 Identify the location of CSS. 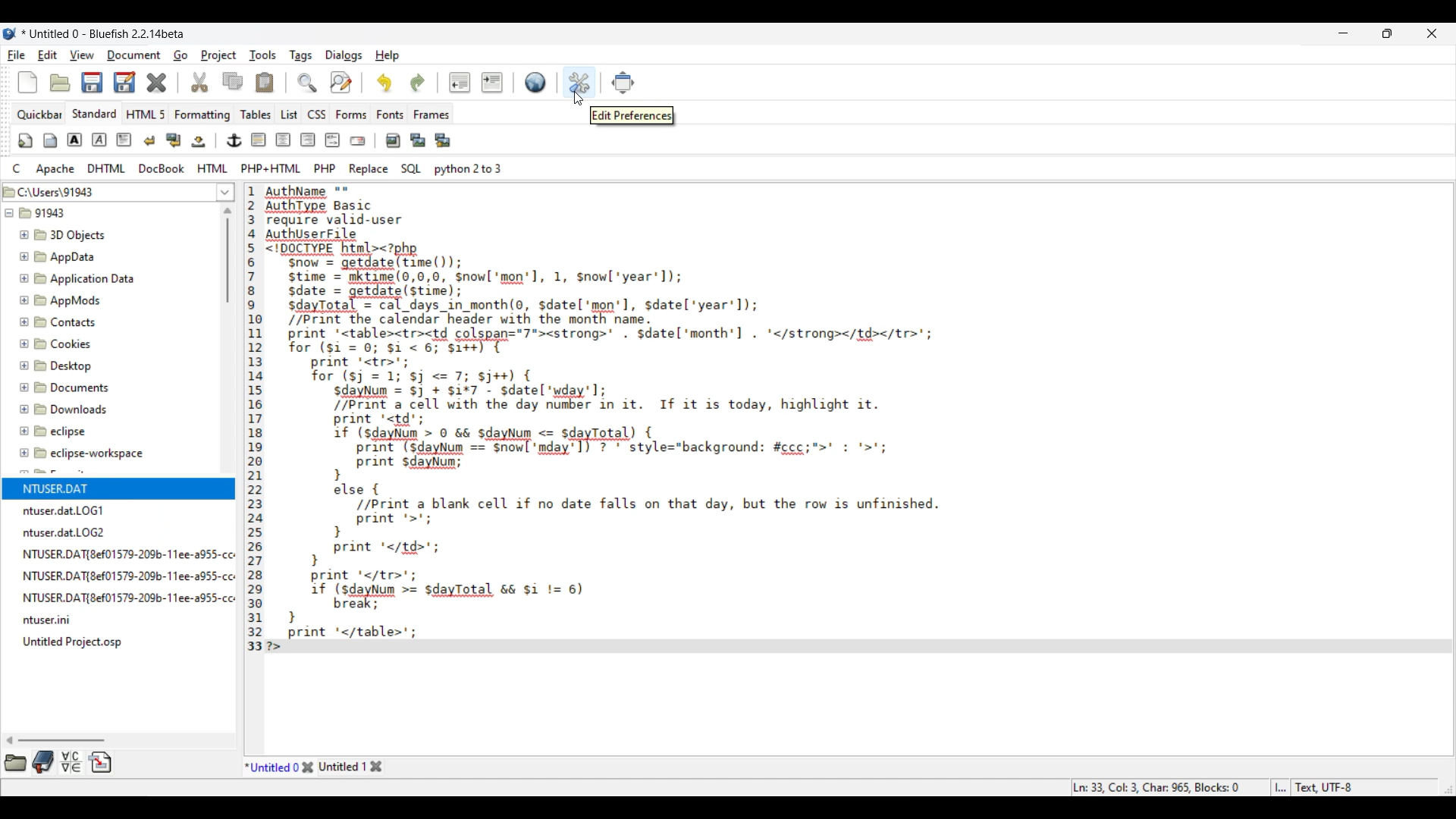
(317, 115).